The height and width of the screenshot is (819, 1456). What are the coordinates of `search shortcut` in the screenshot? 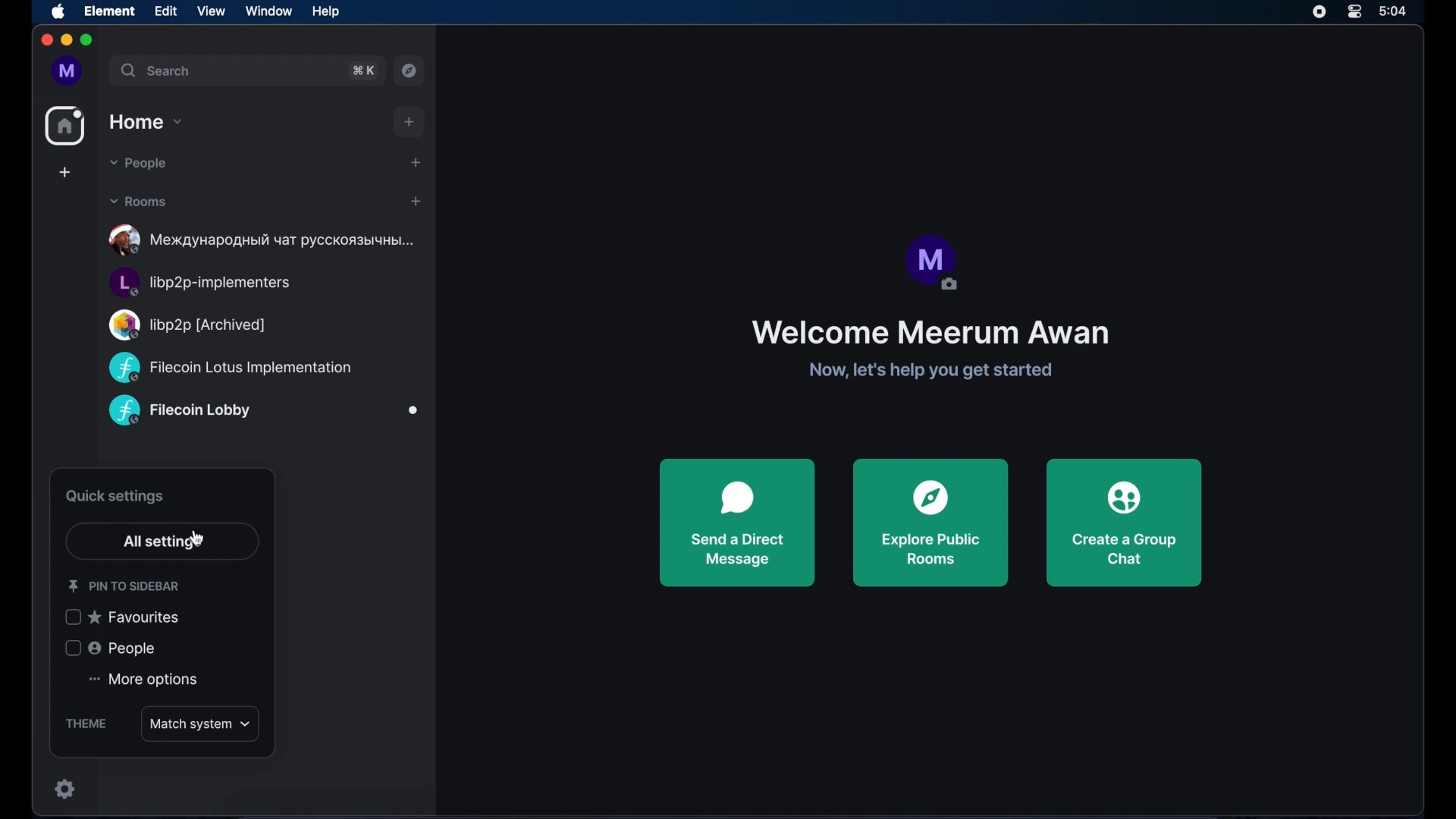 It's located at (363, 71).